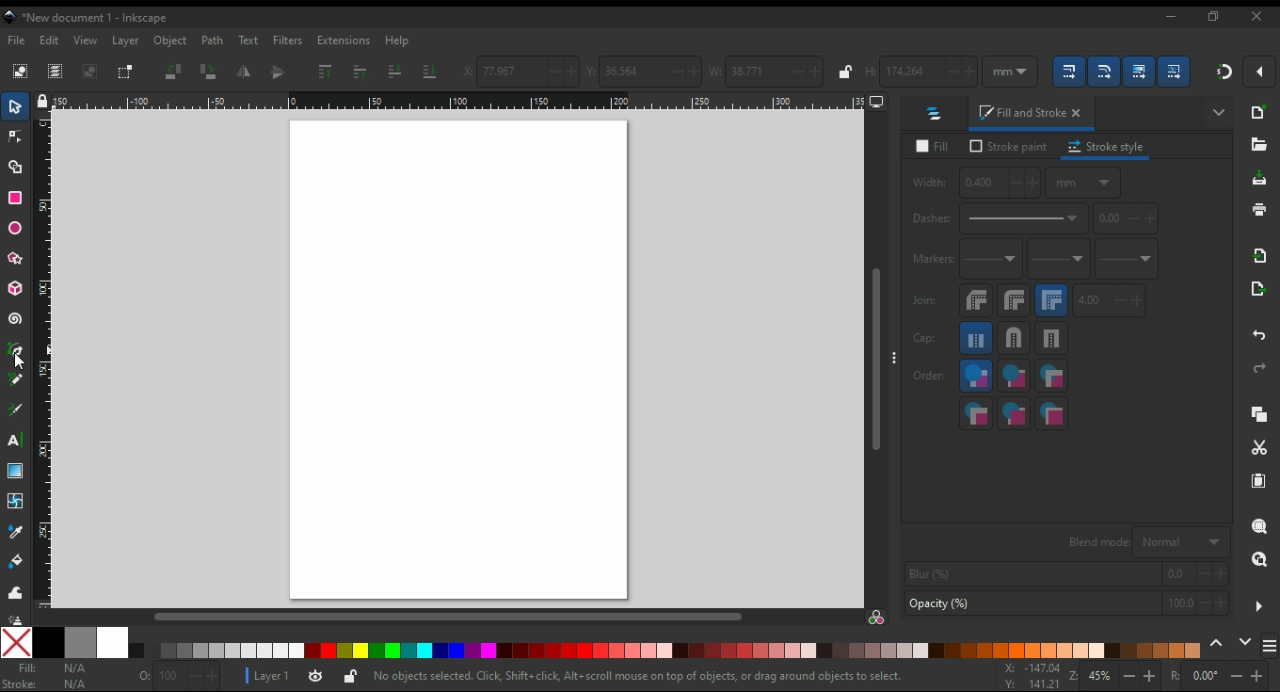 This screenshot has height=692, width=1280. What do you see at coordinates (398, 41) in the screenshot?
I see `help` at bounding box center [398, 41].